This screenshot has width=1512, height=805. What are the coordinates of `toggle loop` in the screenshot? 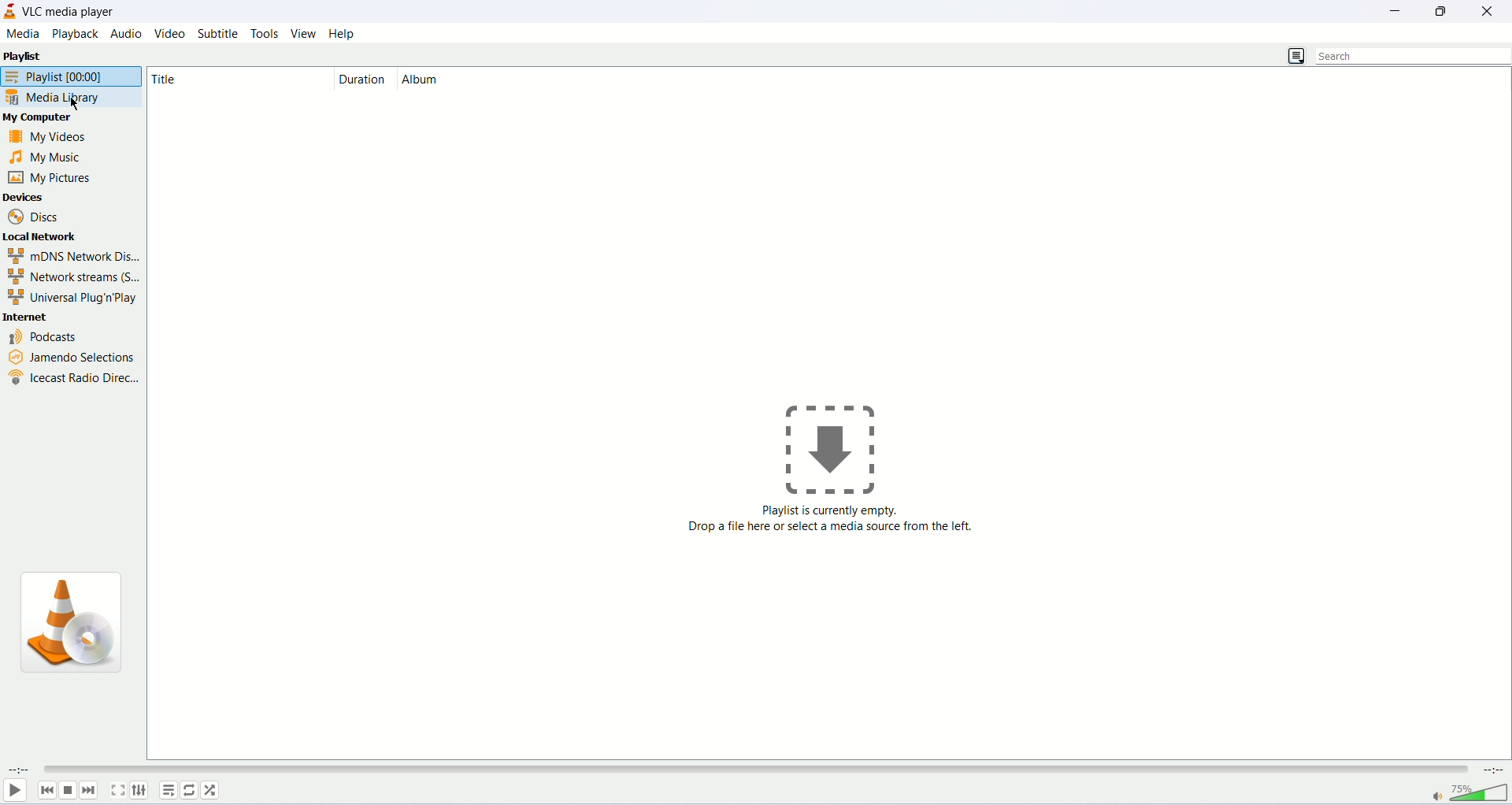 It's located at (188, 791).